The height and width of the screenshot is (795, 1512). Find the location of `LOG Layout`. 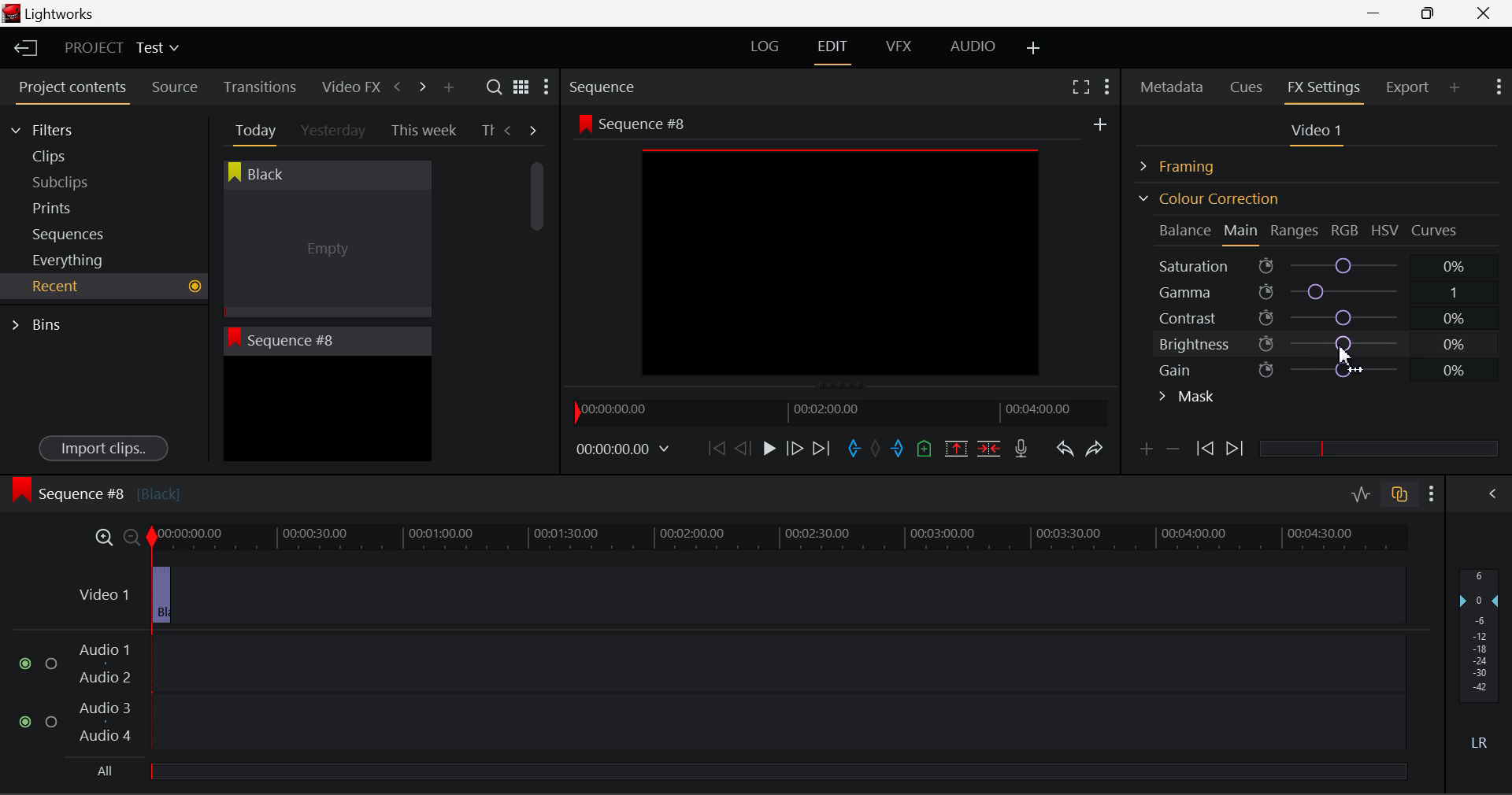

LOG Layout is located at coordinates (764, 46).